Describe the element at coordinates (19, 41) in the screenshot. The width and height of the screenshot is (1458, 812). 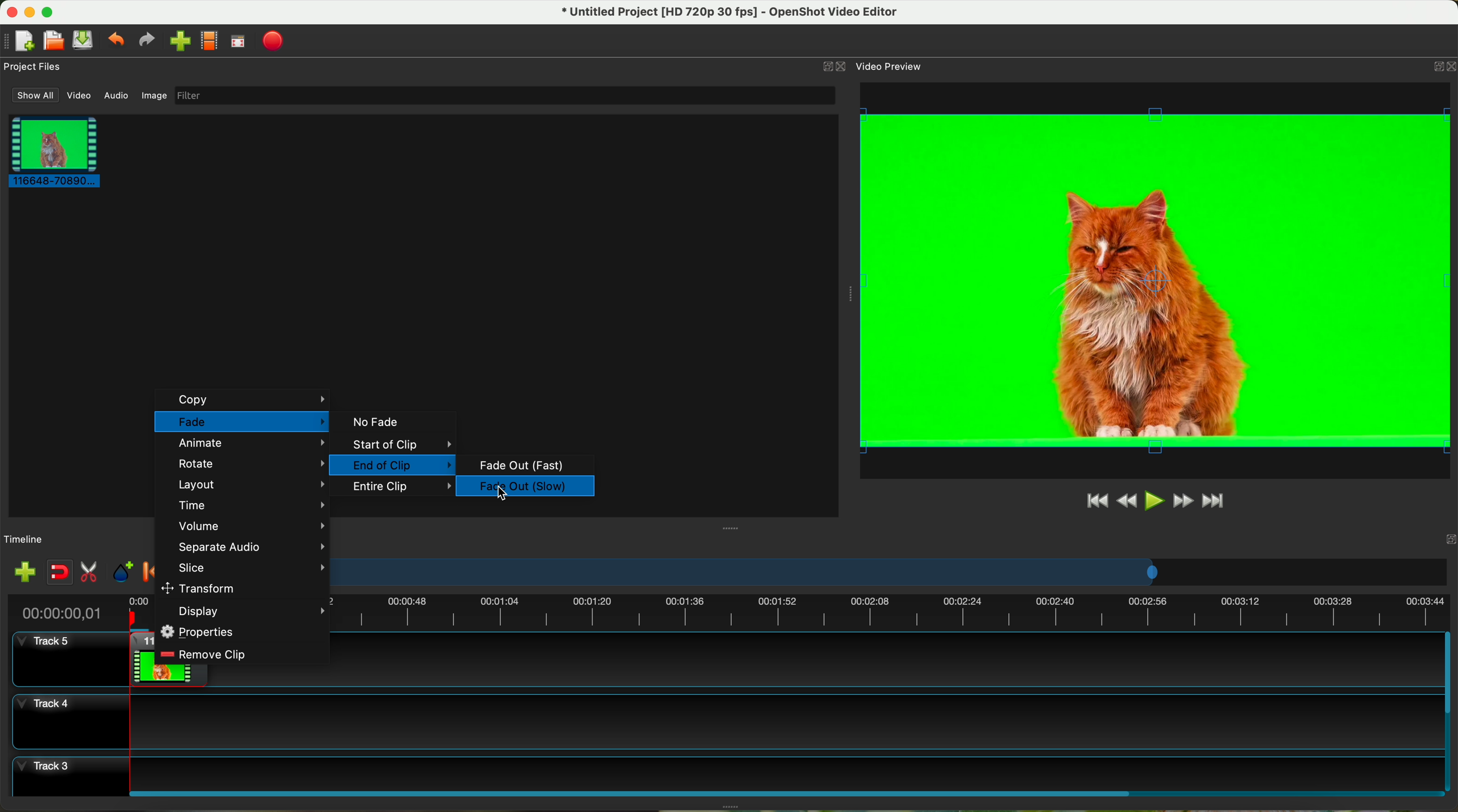
I see `new project` at that location.